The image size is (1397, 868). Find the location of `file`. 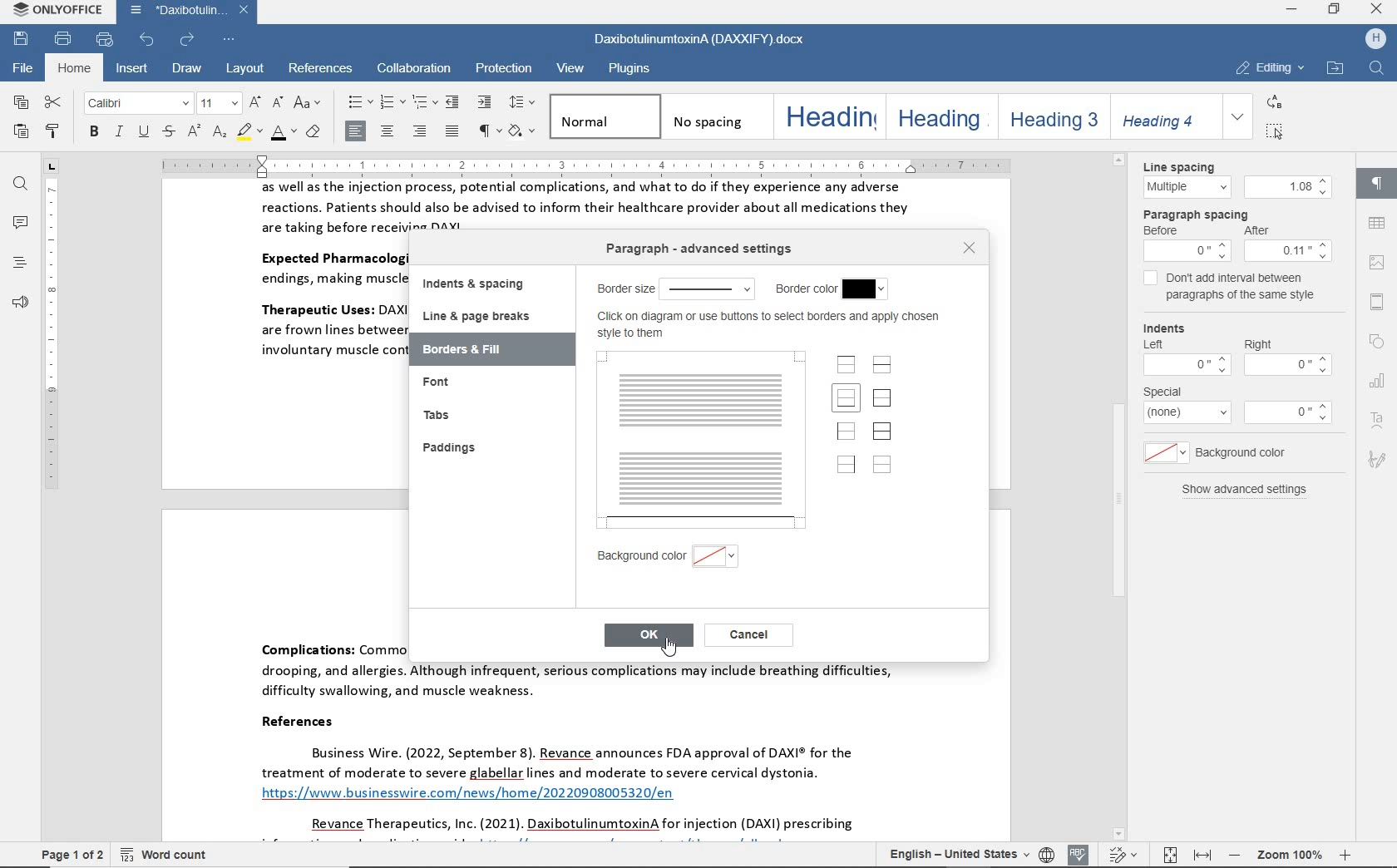

file is located at coordinates (24, 68).